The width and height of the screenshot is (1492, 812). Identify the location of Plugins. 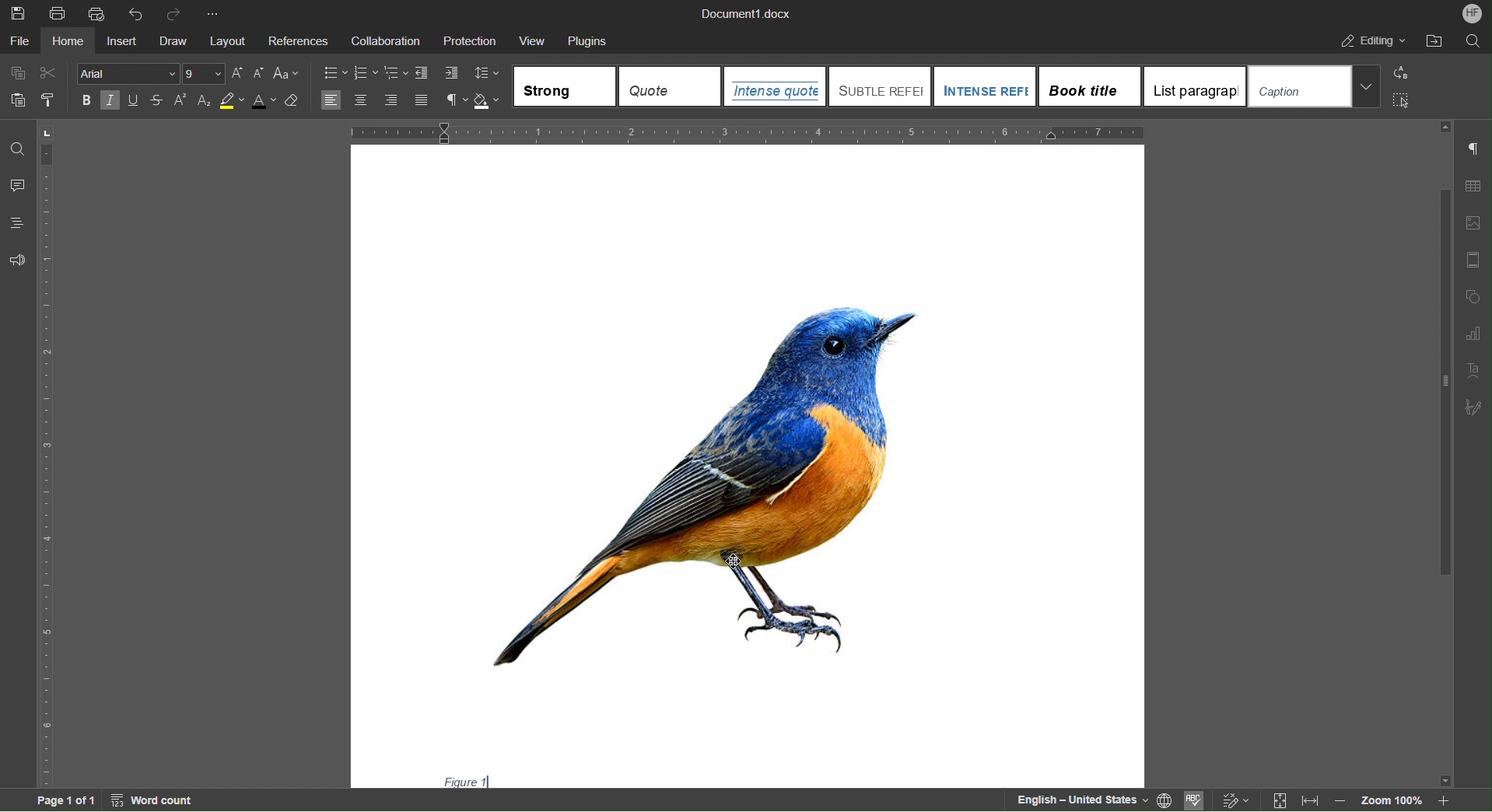
(587, 42).